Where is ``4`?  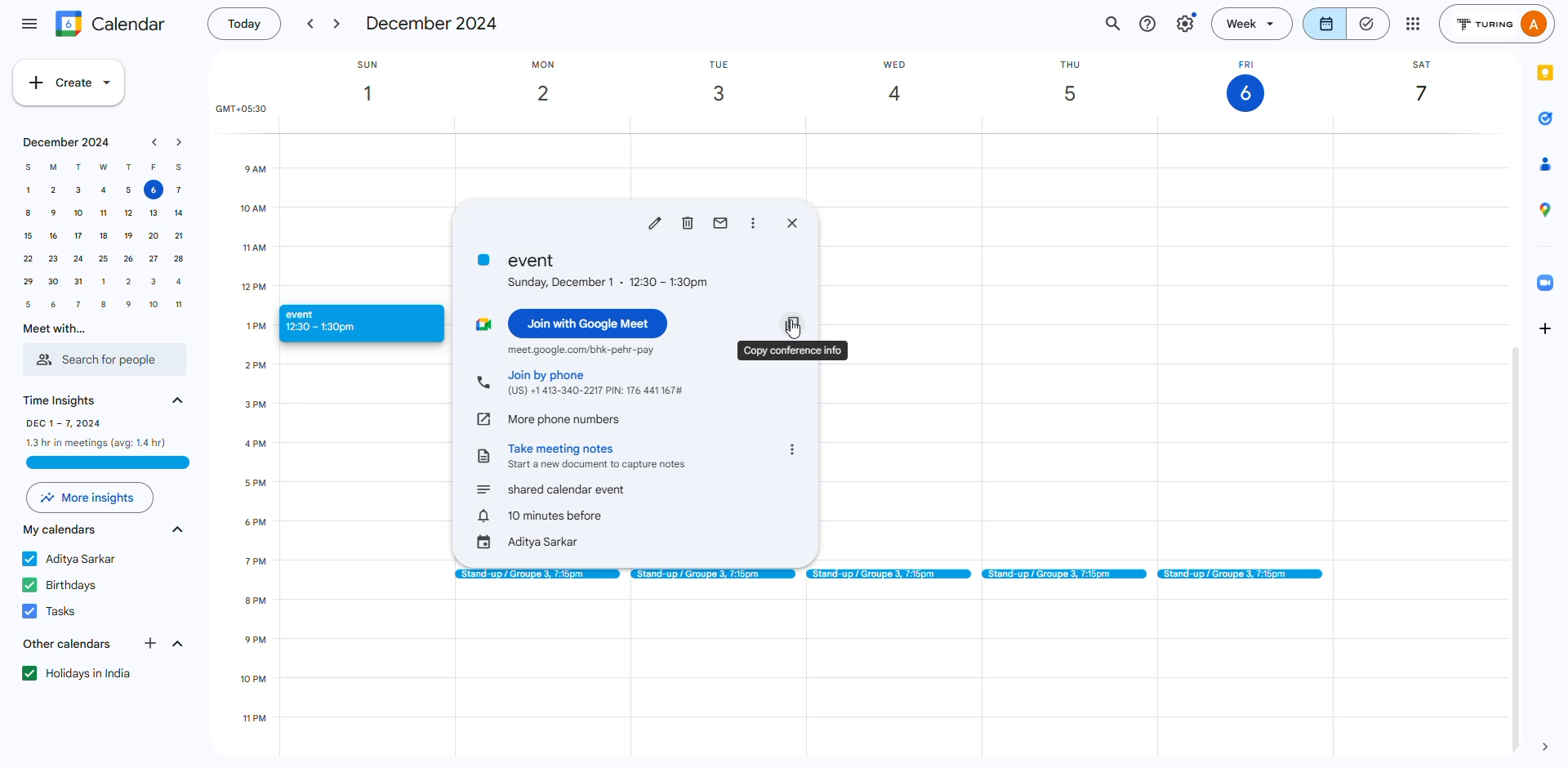 `4 is located at coordinates (178, 213).